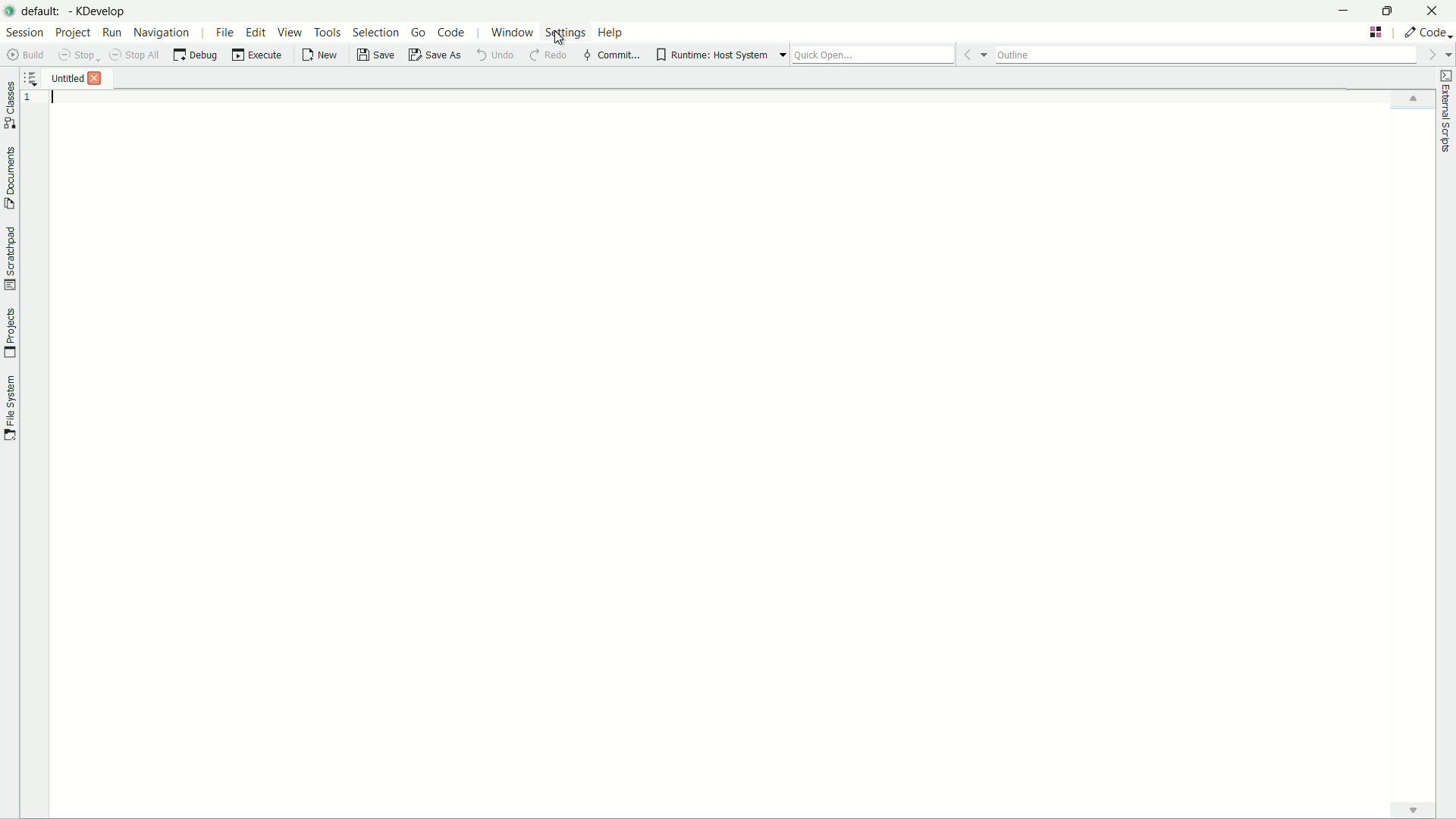 The image size is (1456, 819). What do you see at coordinates (611, 54) in the screenshot?
I see `commit` at bounding box center [611, 54].